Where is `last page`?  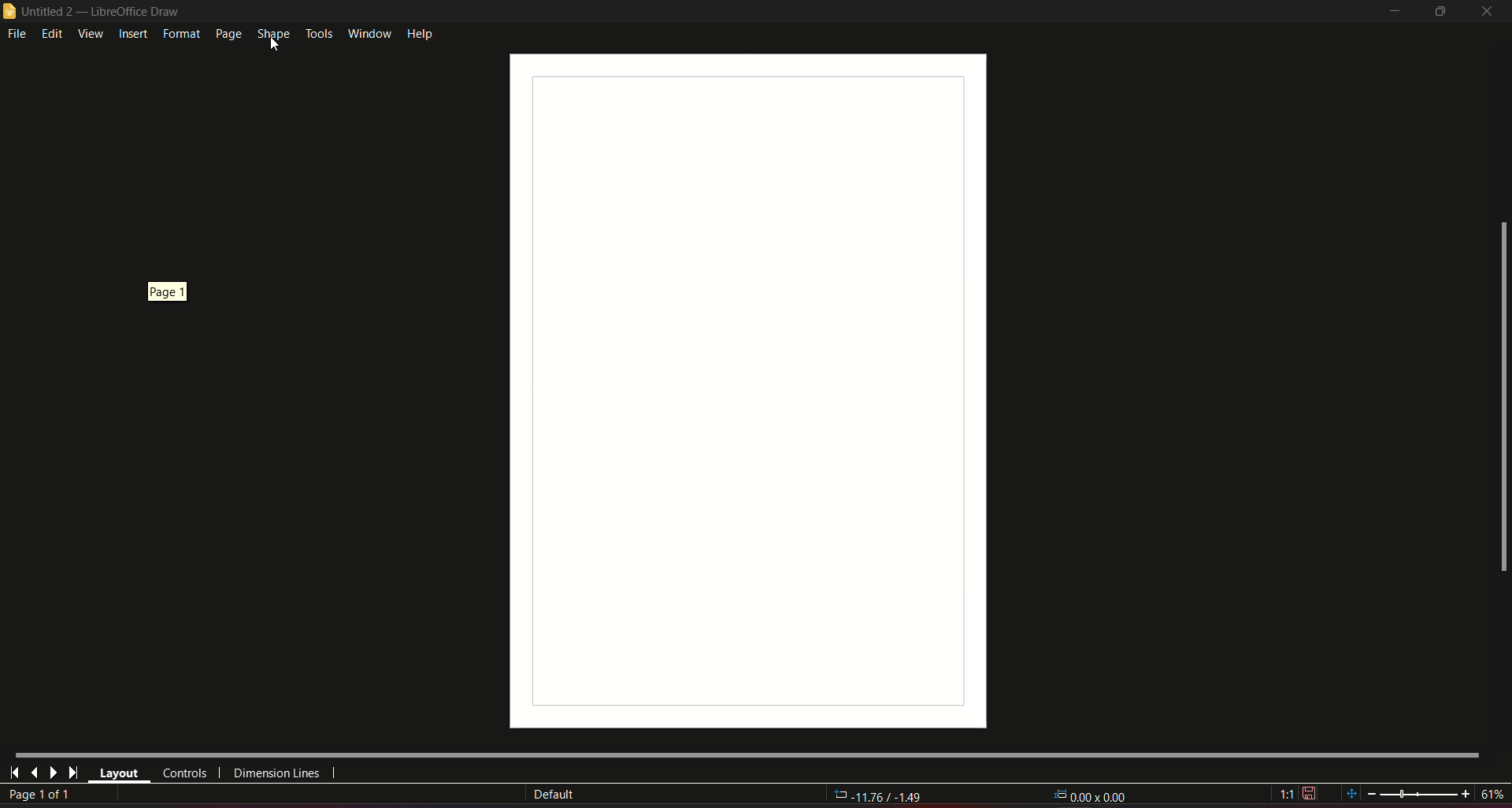
last page is located at coordinates (34, 772).